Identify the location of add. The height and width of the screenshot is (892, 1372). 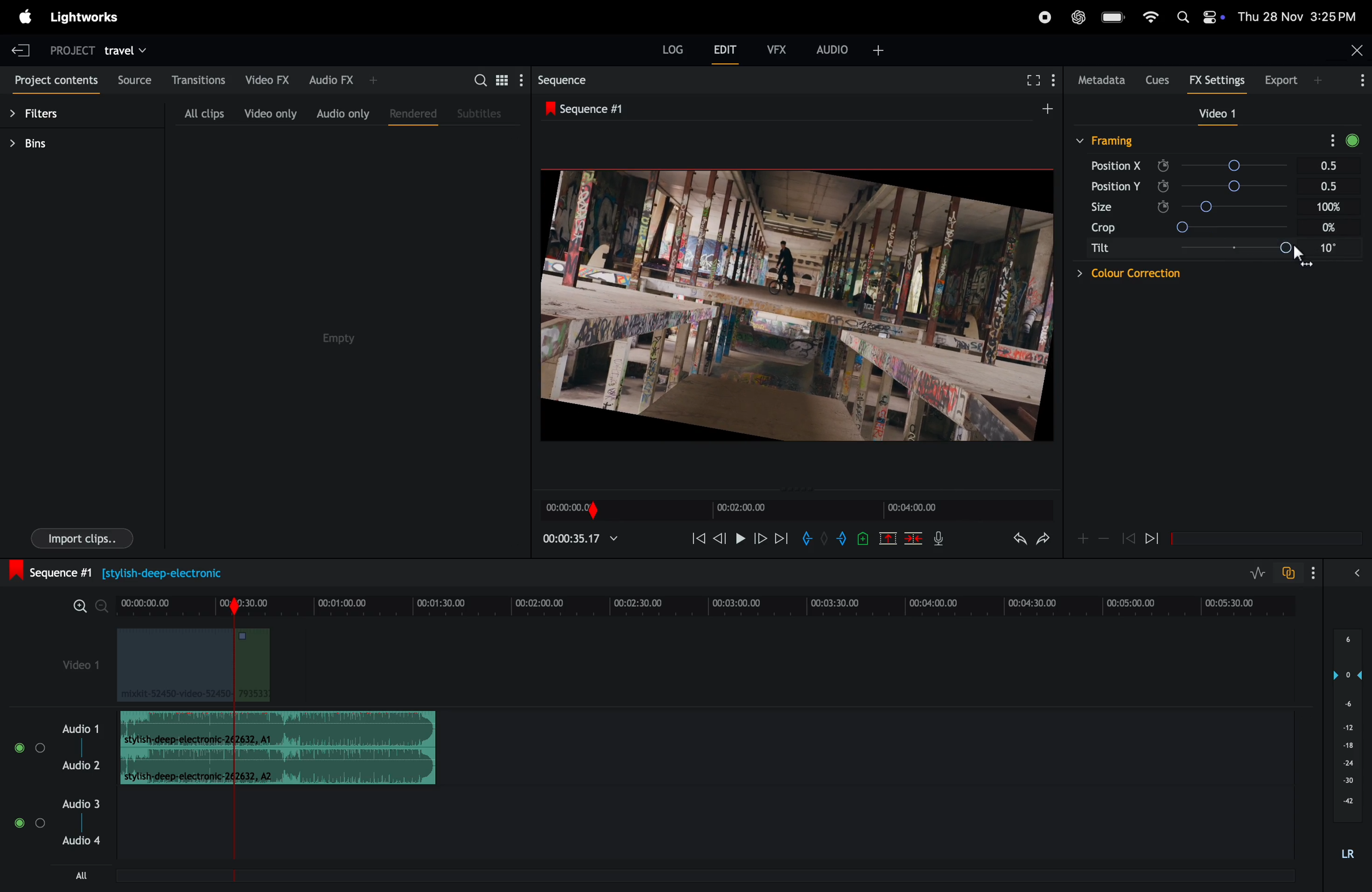
(1053, 113).